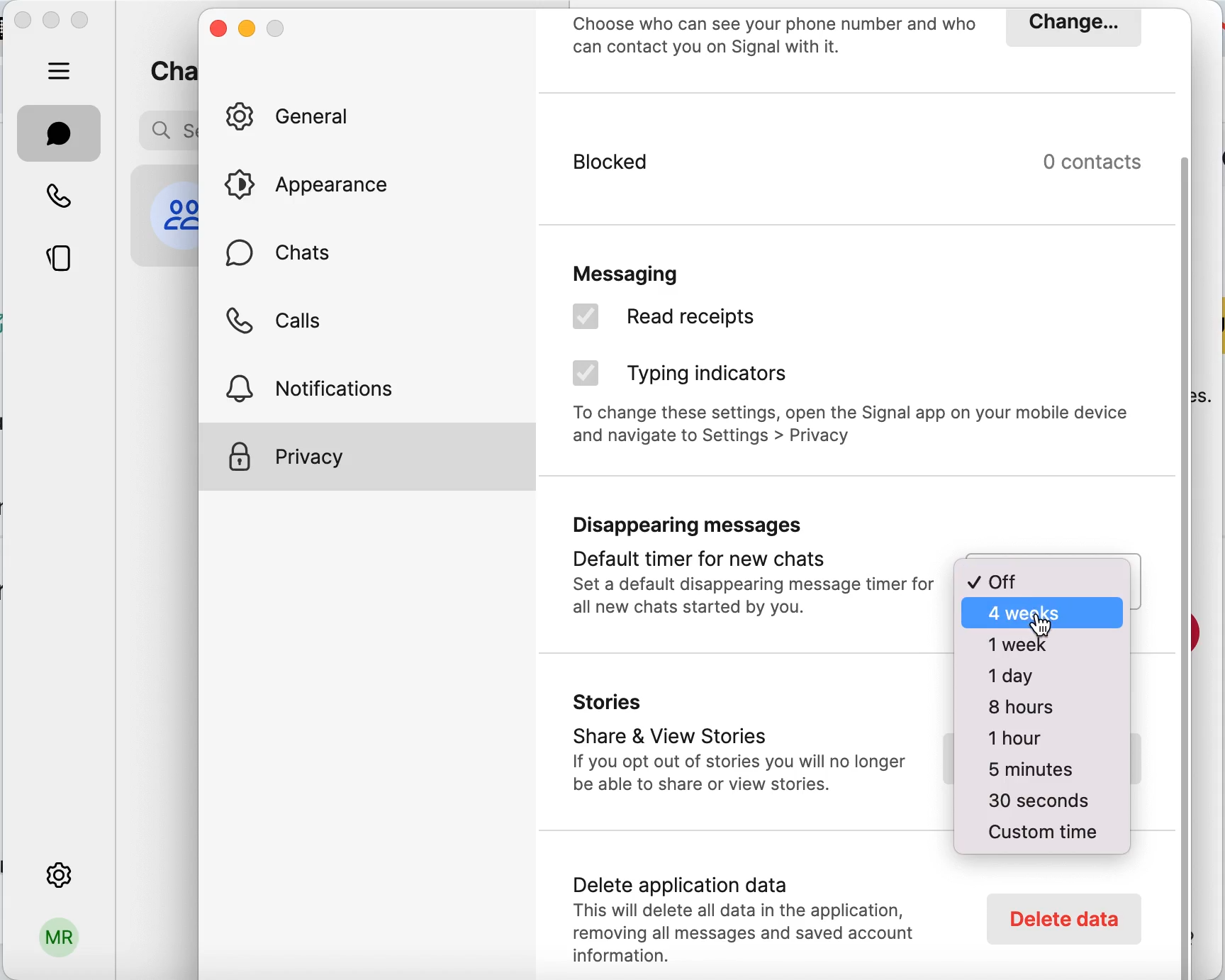 The height and width of the screenshot is (980, 1225). Describe the element at coordinates (60, 133) in the screenshot. I see `chat` at that location.